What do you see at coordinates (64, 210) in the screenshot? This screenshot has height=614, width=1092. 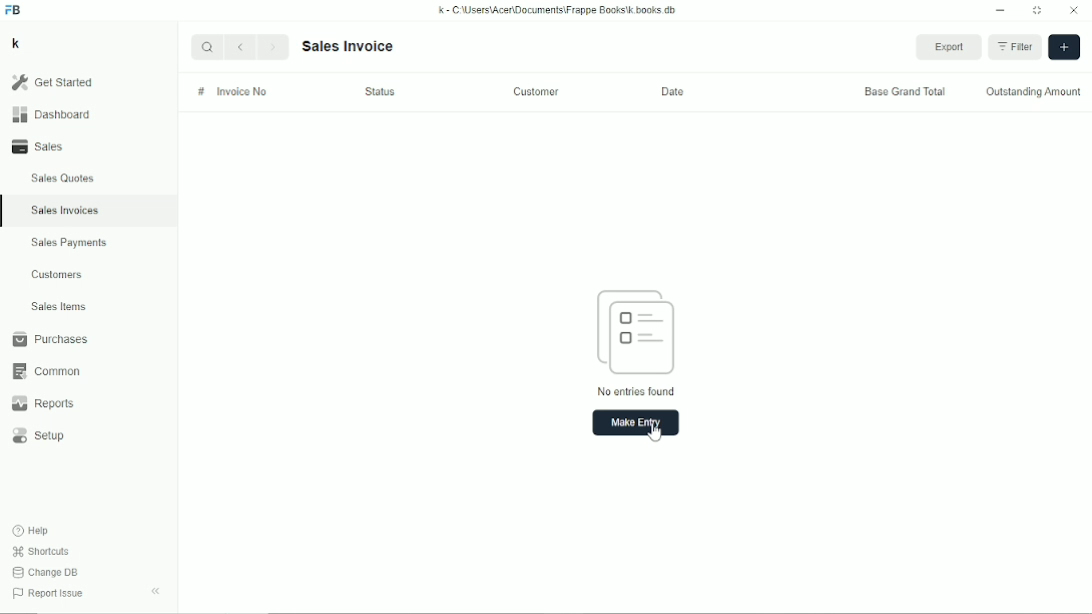 I see `Sales invoices` at bounding box center [64, 210].